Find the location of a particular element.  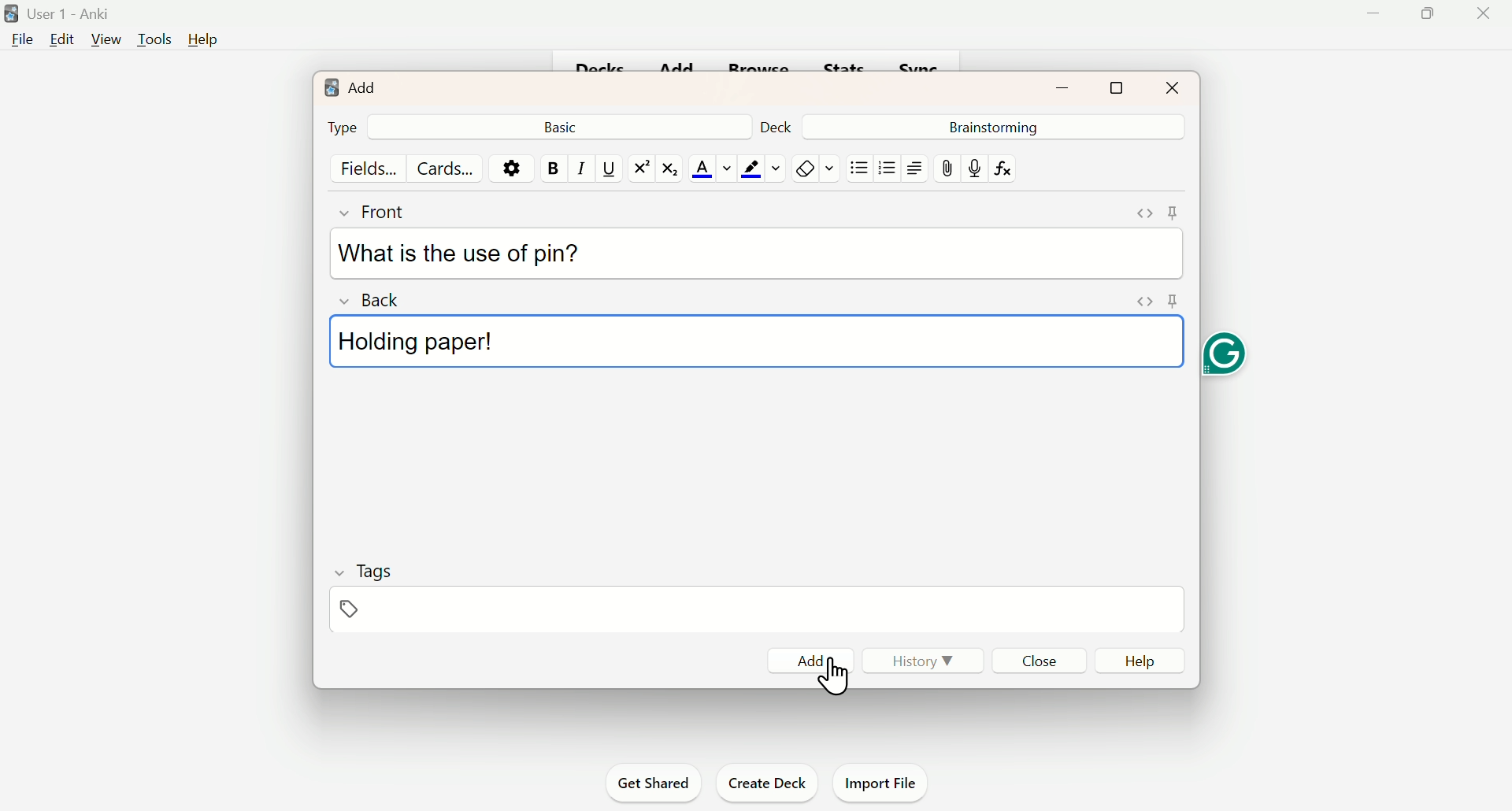

History is located at coordinates (916, 659).